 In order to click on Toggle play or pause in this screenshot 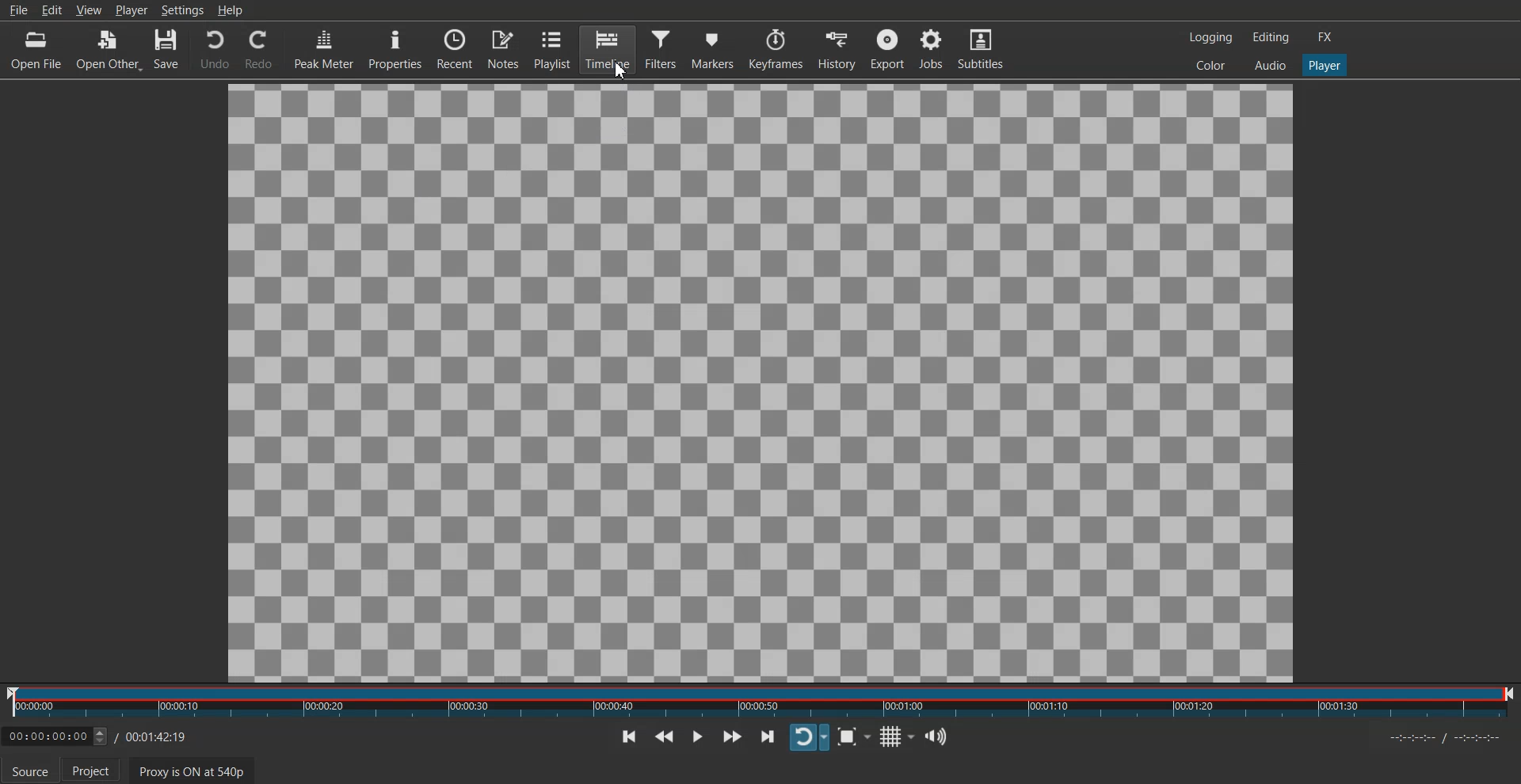, I will do `click(698, 736)`.